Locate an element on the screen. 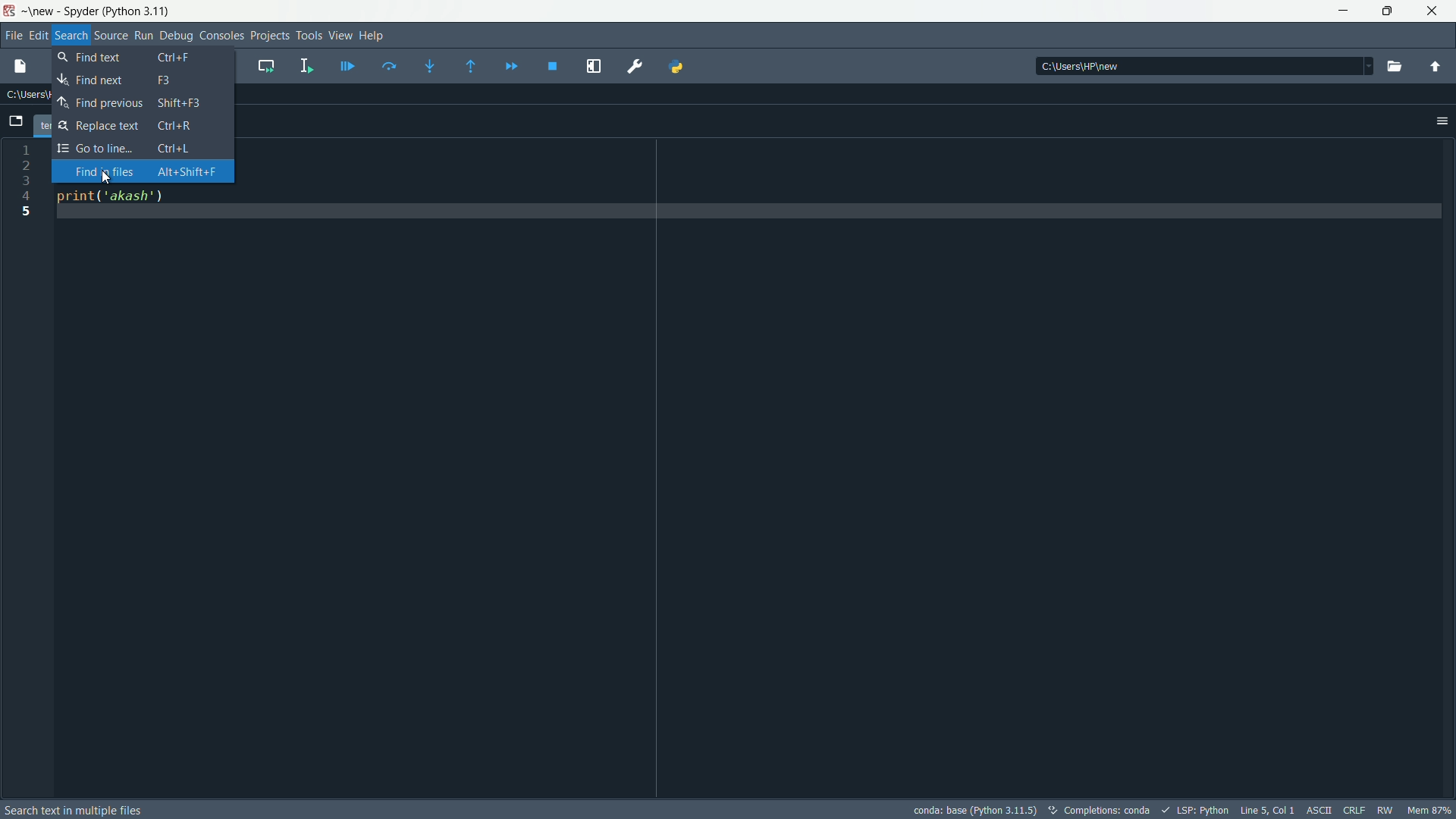  interpreter is located at coordinates (972, 810).